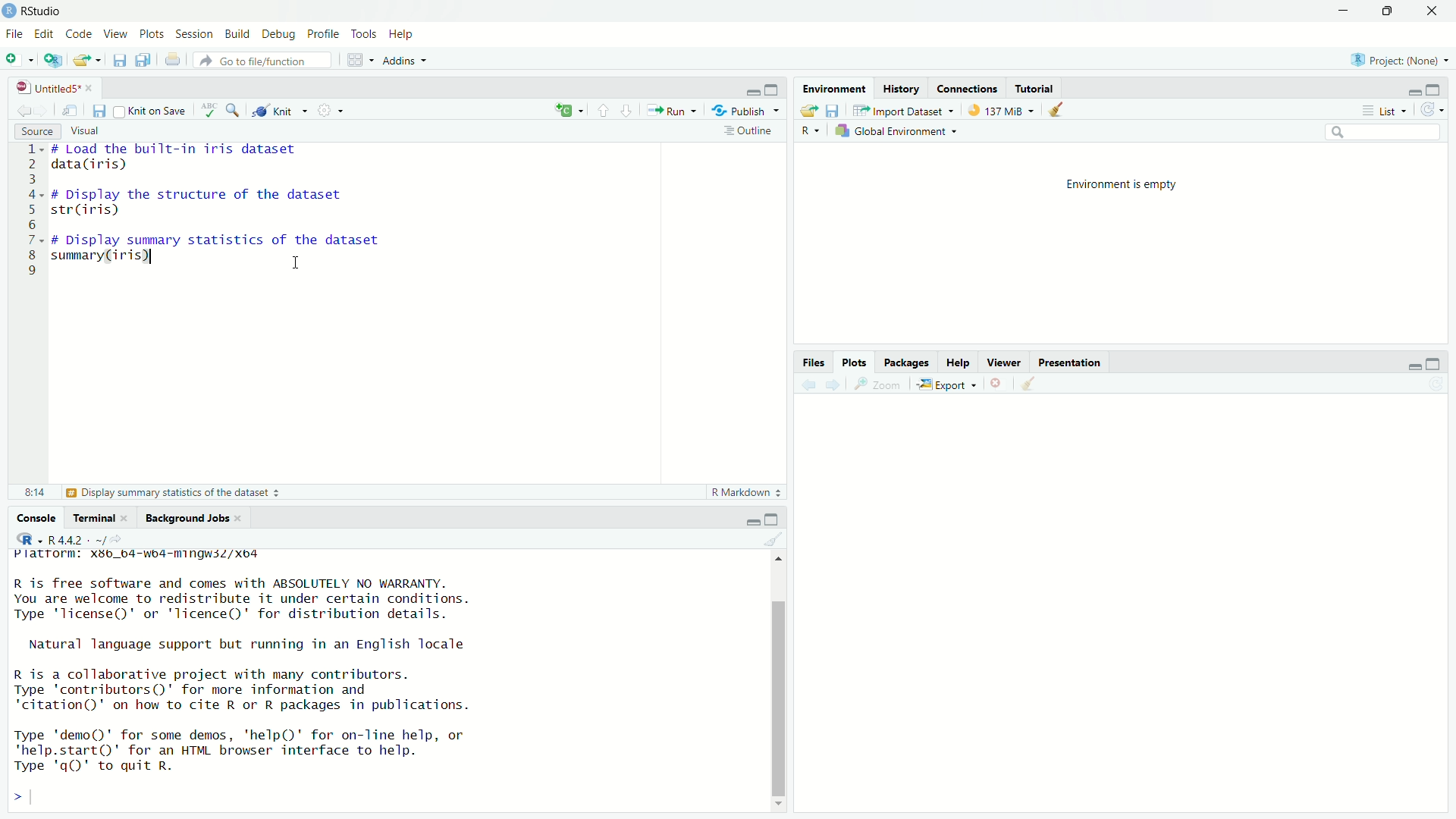 This screenshot has height=819, width=1456. Describe the element at coordinates (209, 111) in the screenshot. I see `Spell Check` at that location.